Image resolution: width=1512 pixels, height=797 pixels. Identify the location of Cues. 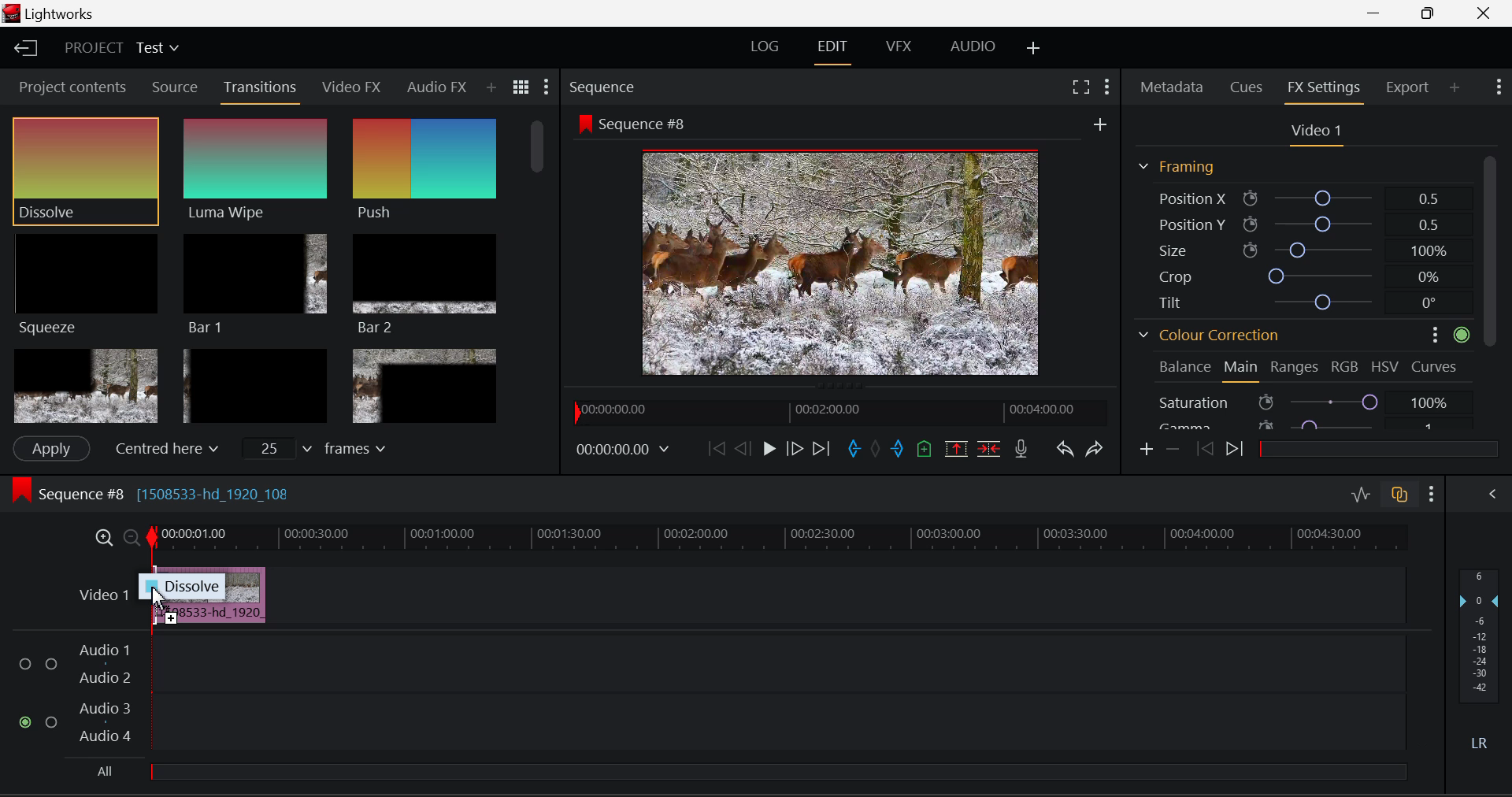
(1246, 87).